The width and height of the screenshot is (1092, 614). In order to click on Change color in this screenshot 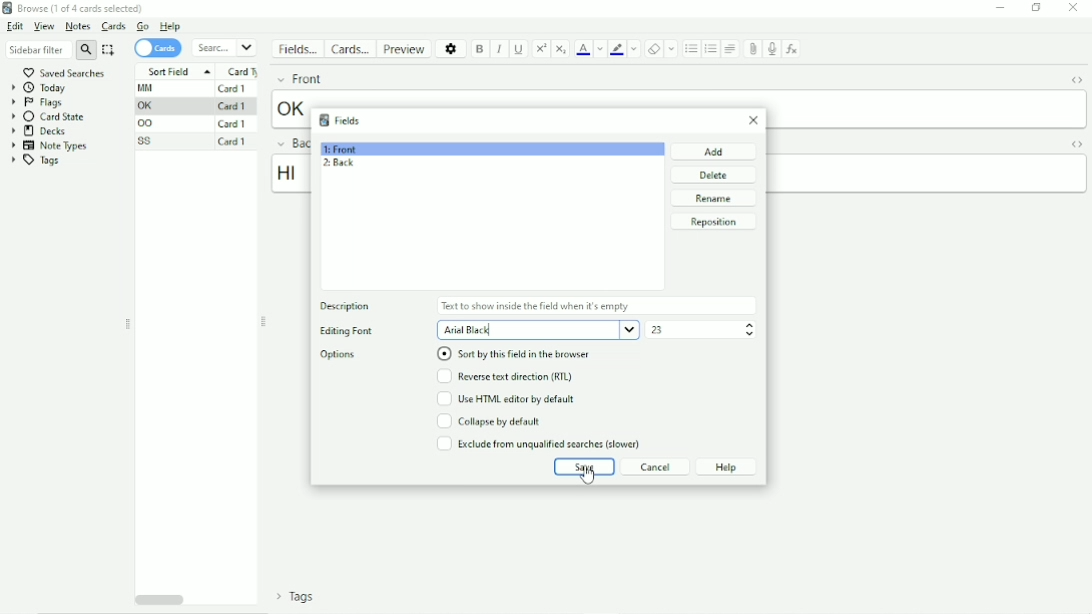, I will do `click(635, 50)`.